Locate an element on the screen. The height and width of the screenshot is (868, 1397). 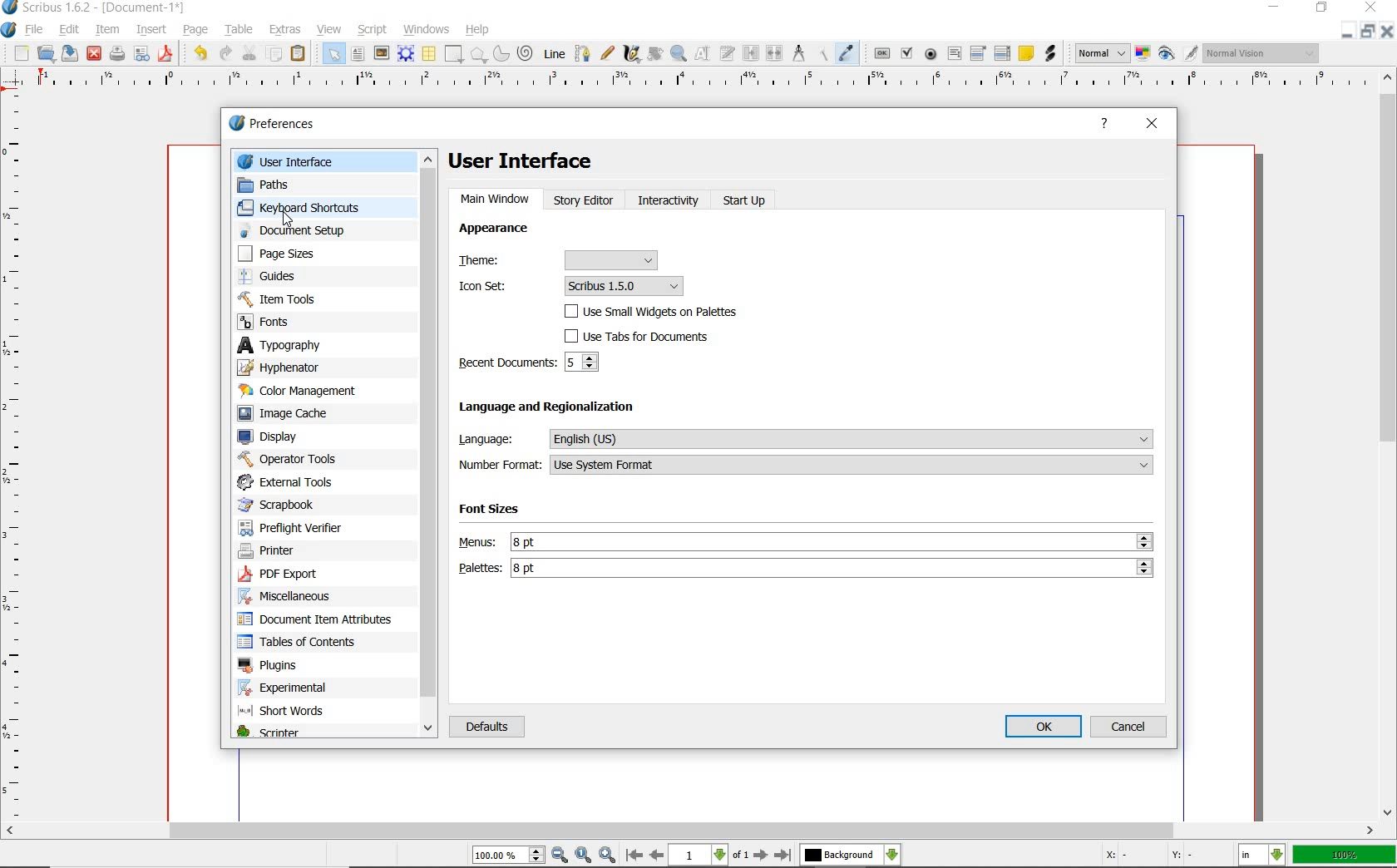
zoom factor is located at coordinates (1345, 856).